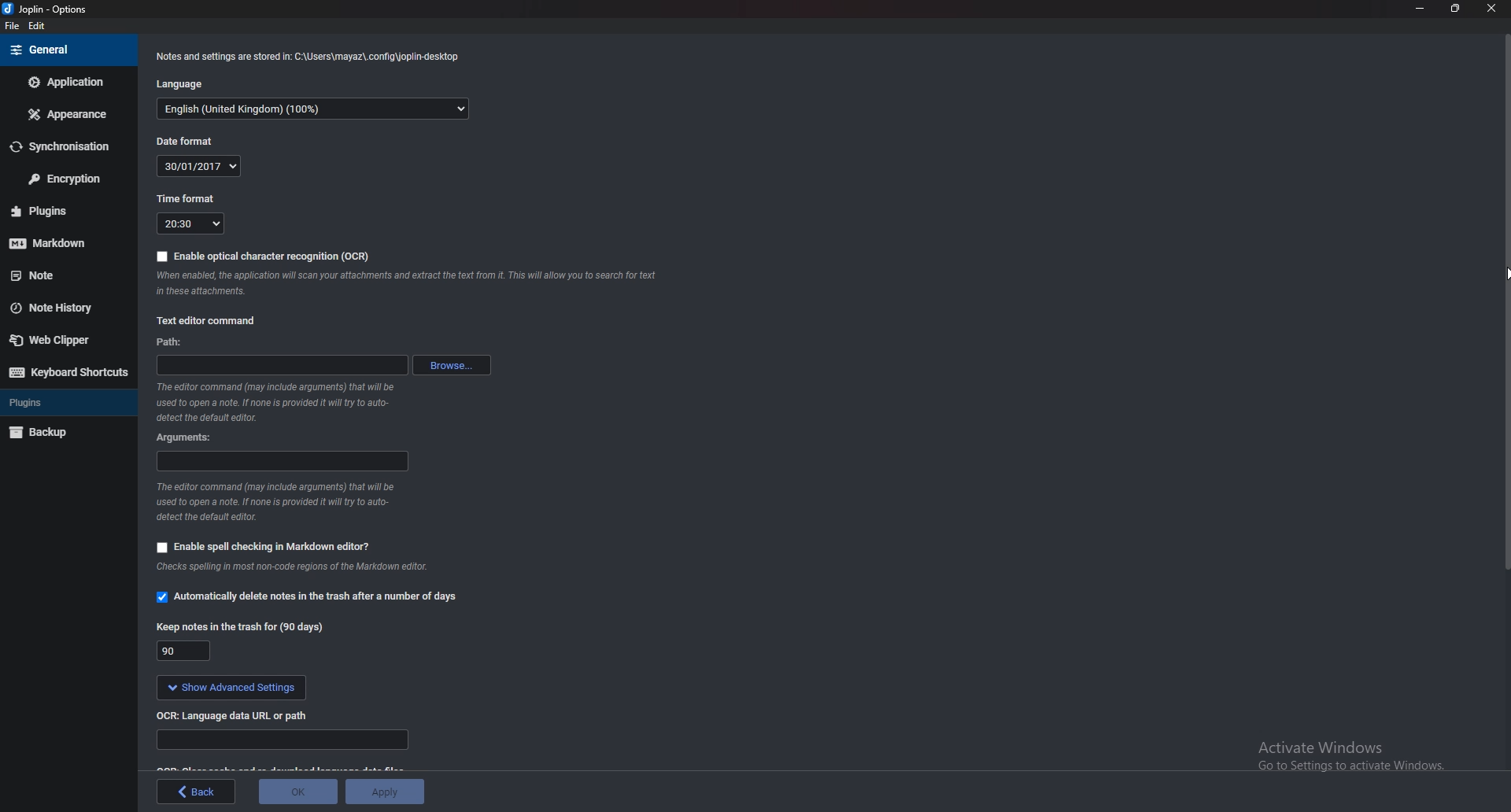 The image size is (1511, 812). What do you see at coordinates (180, 85) in the screenshot?
I see `language` at bounding box center [180, 85].